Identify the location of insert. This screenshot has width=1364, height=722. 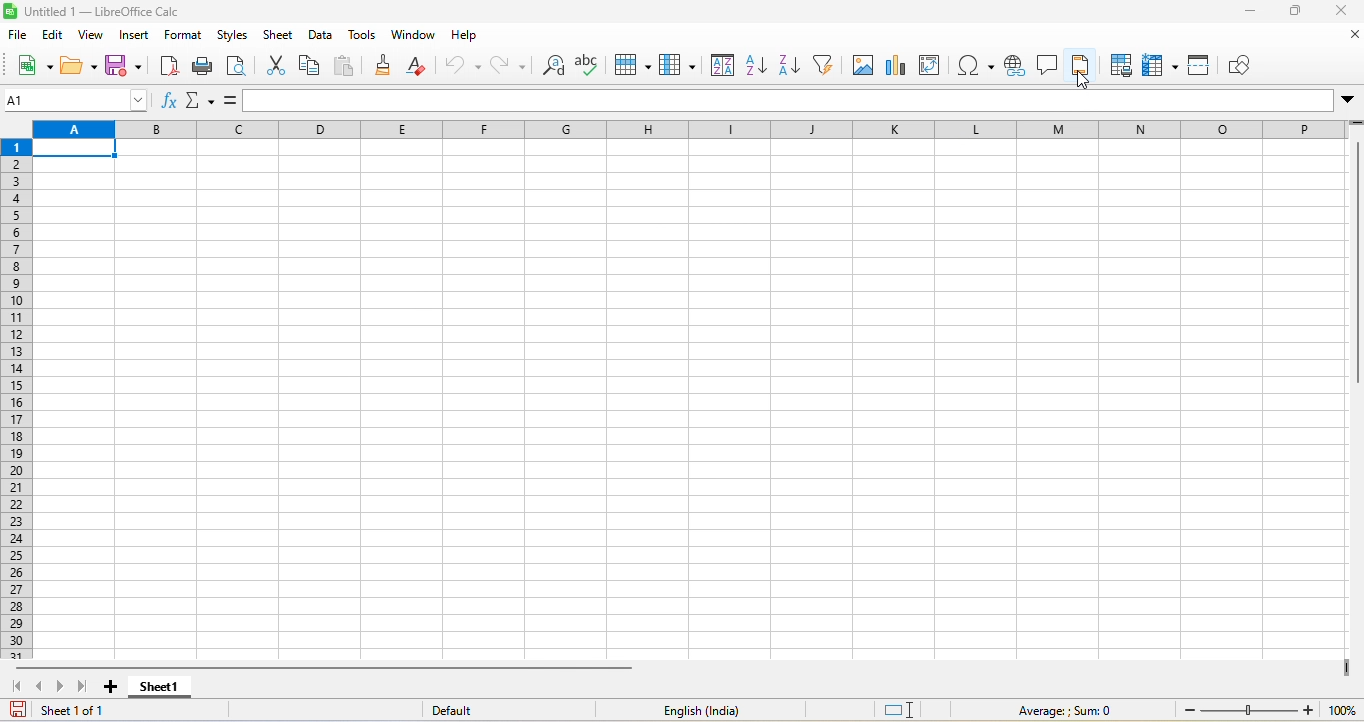
(135, 38).